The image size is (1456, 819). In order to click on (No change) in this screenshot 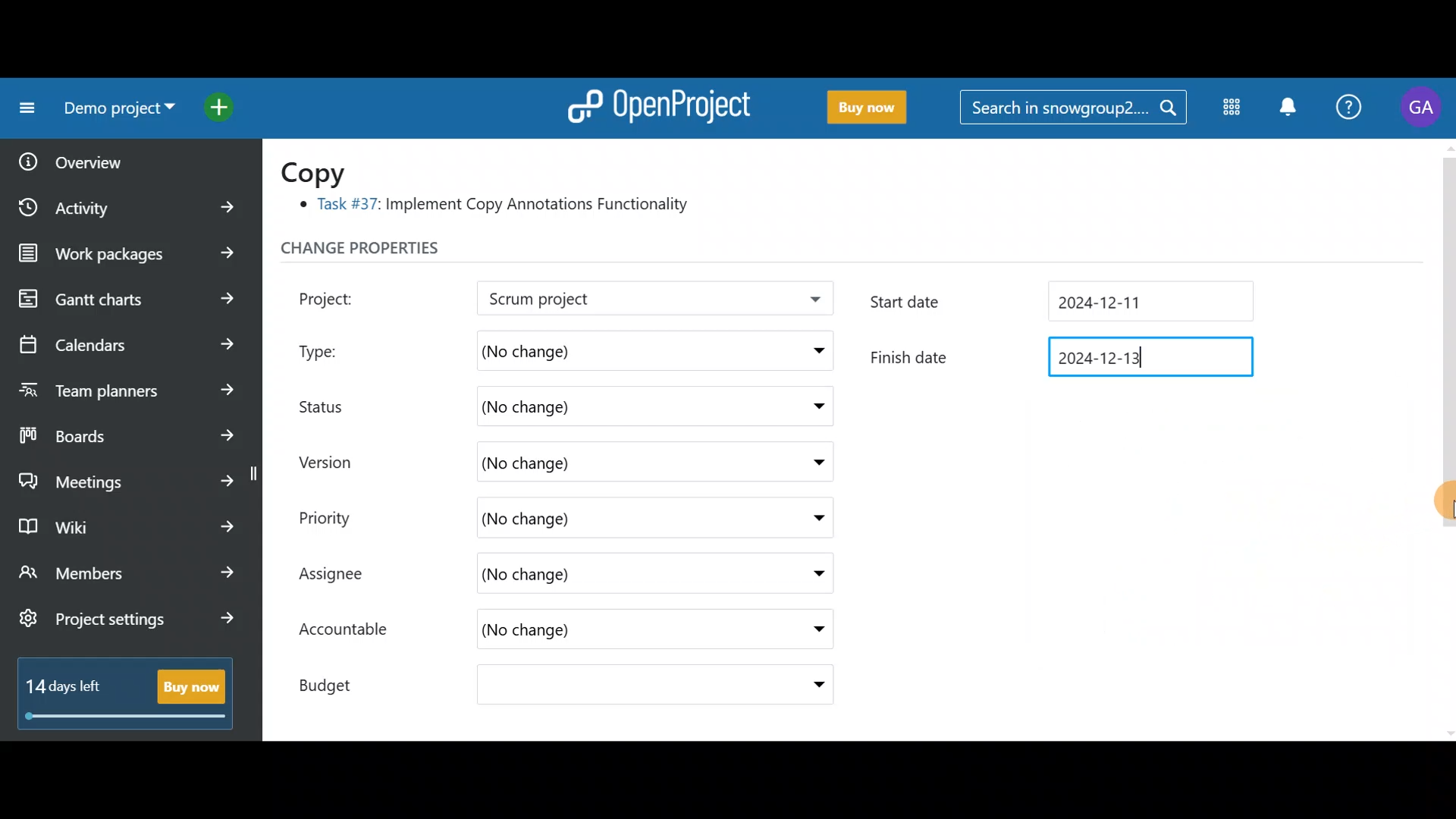, I will do `click(599, 576)`.